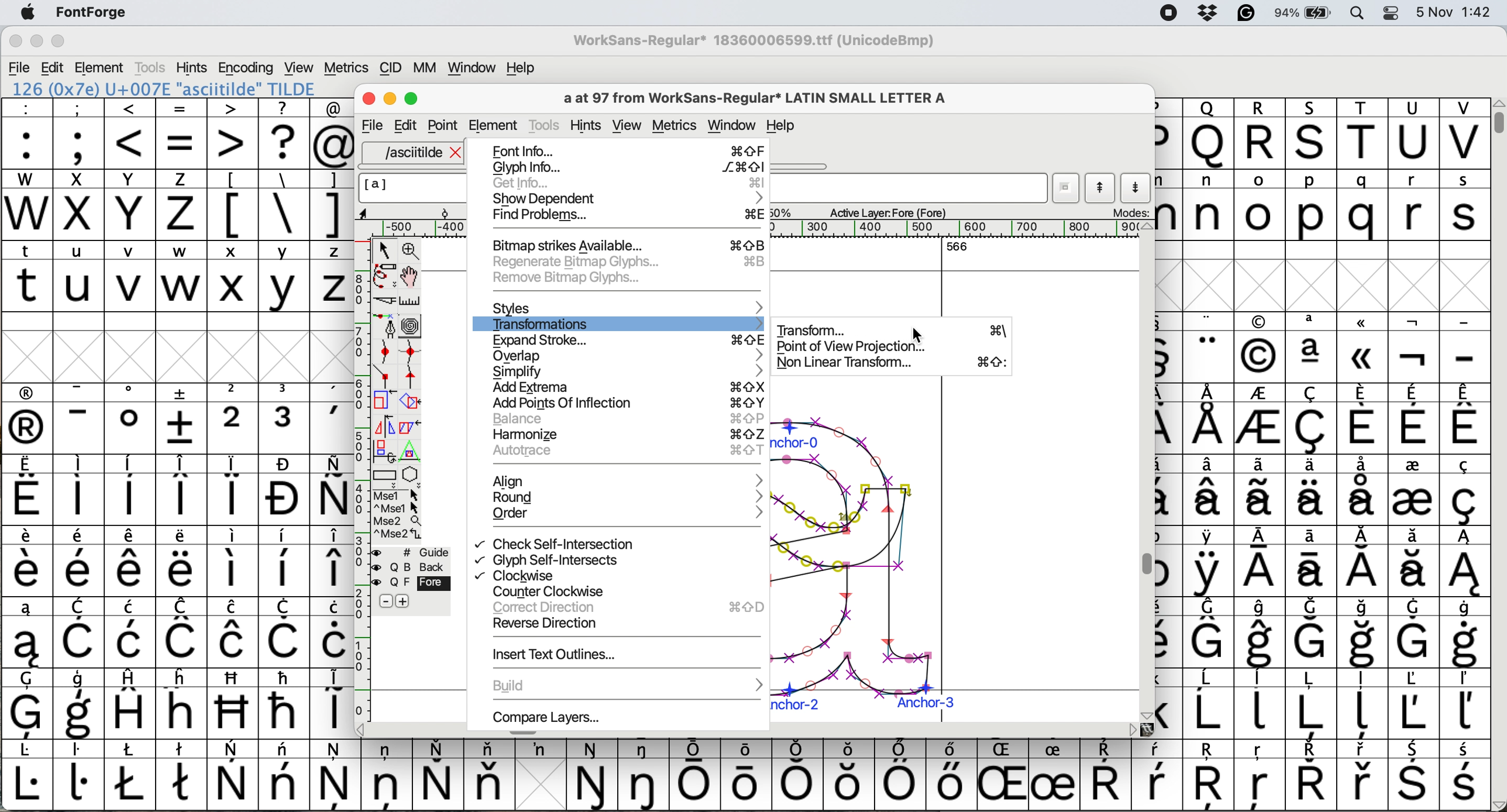 The height and width of the screenshot is (812, 1507). What do you see at coordinates (233, 560) in the screenshot?
I see `symbol` at bounding box center [233, 560].